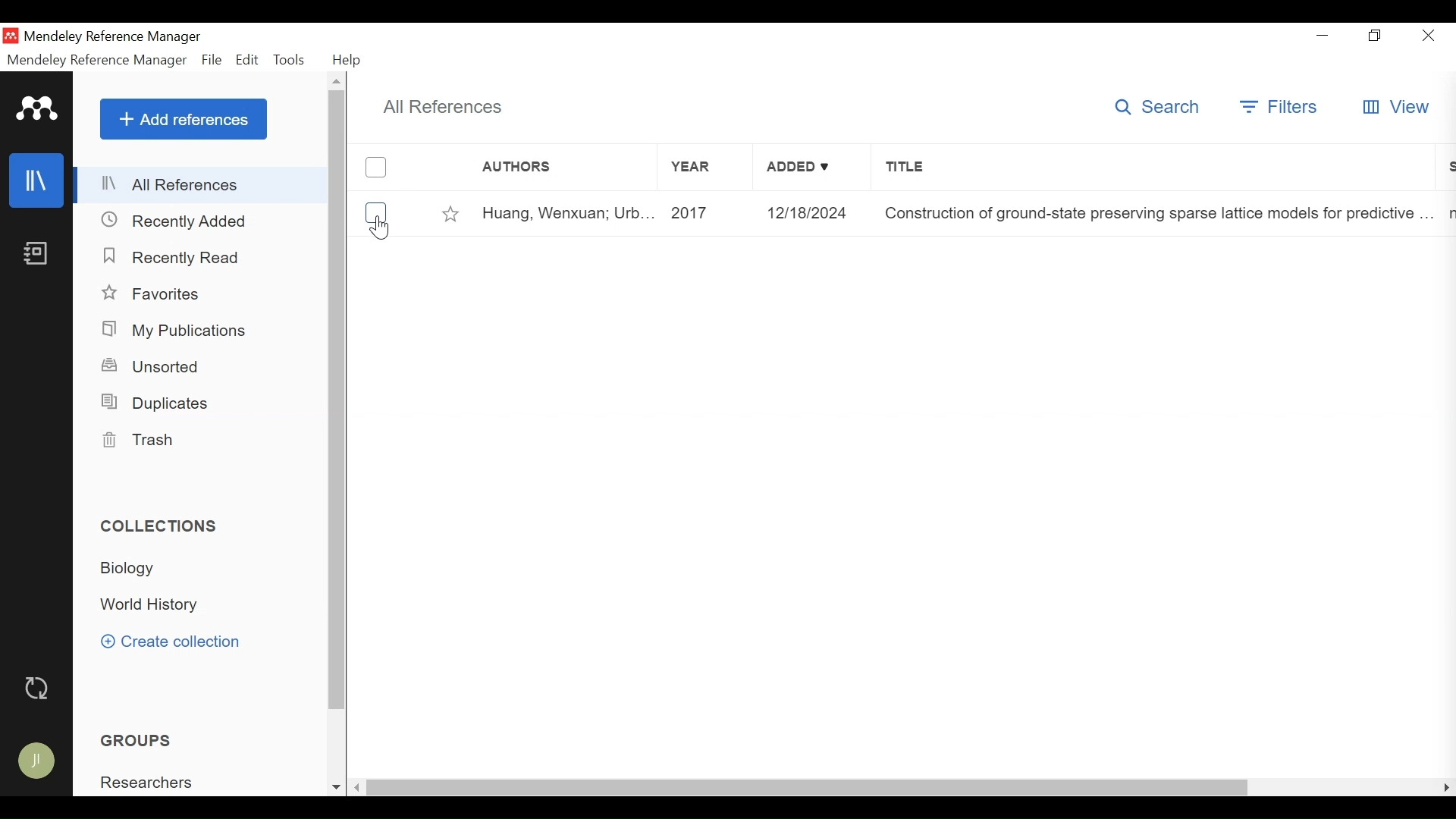 The height and width of the screenshot is (819, 1456). Describe the element at coordinates (548, 170) in the screenshot. I see `Author` at that location.